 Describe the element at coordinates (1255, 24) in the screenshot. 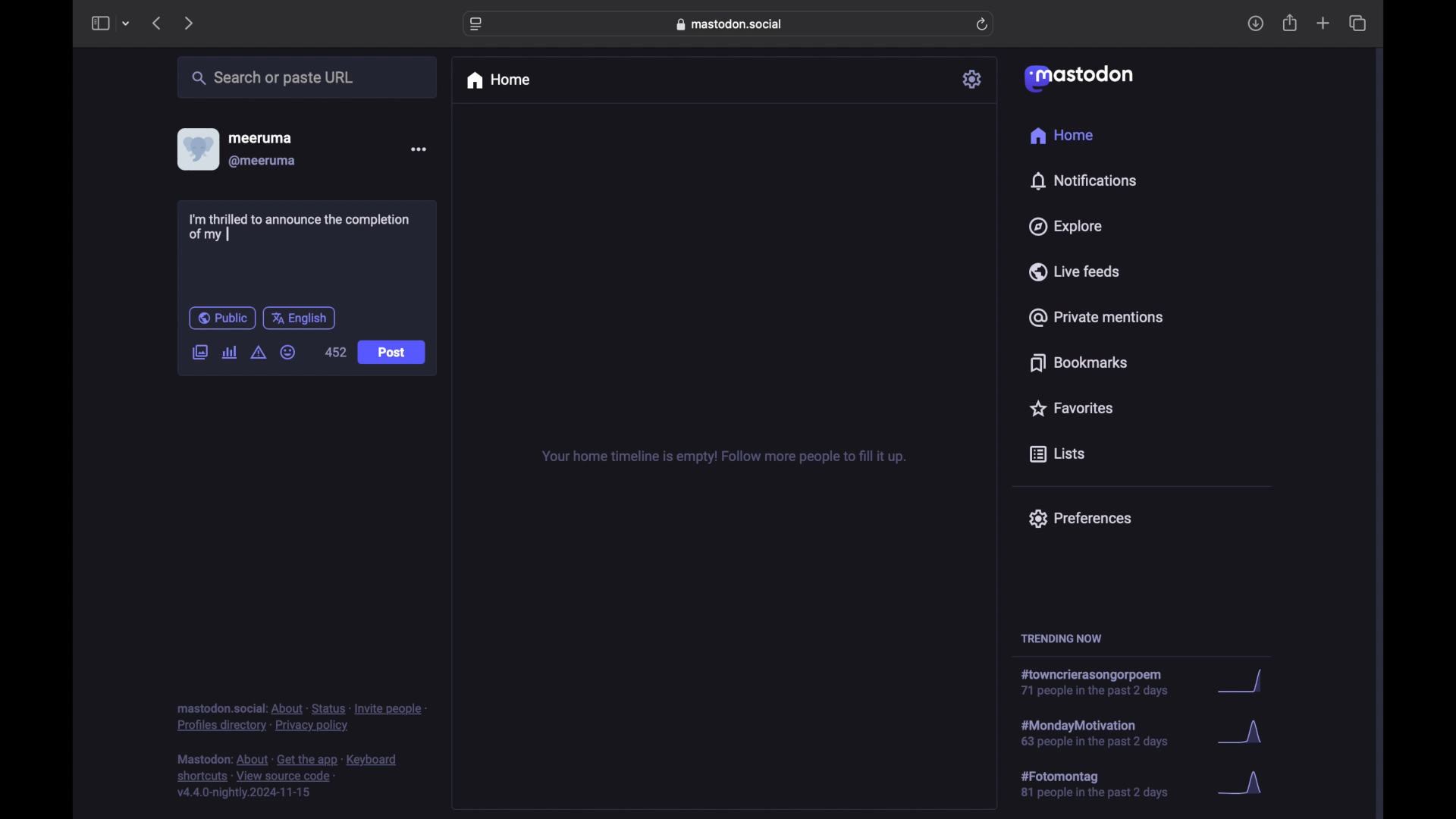

I see `downloads` at that location.